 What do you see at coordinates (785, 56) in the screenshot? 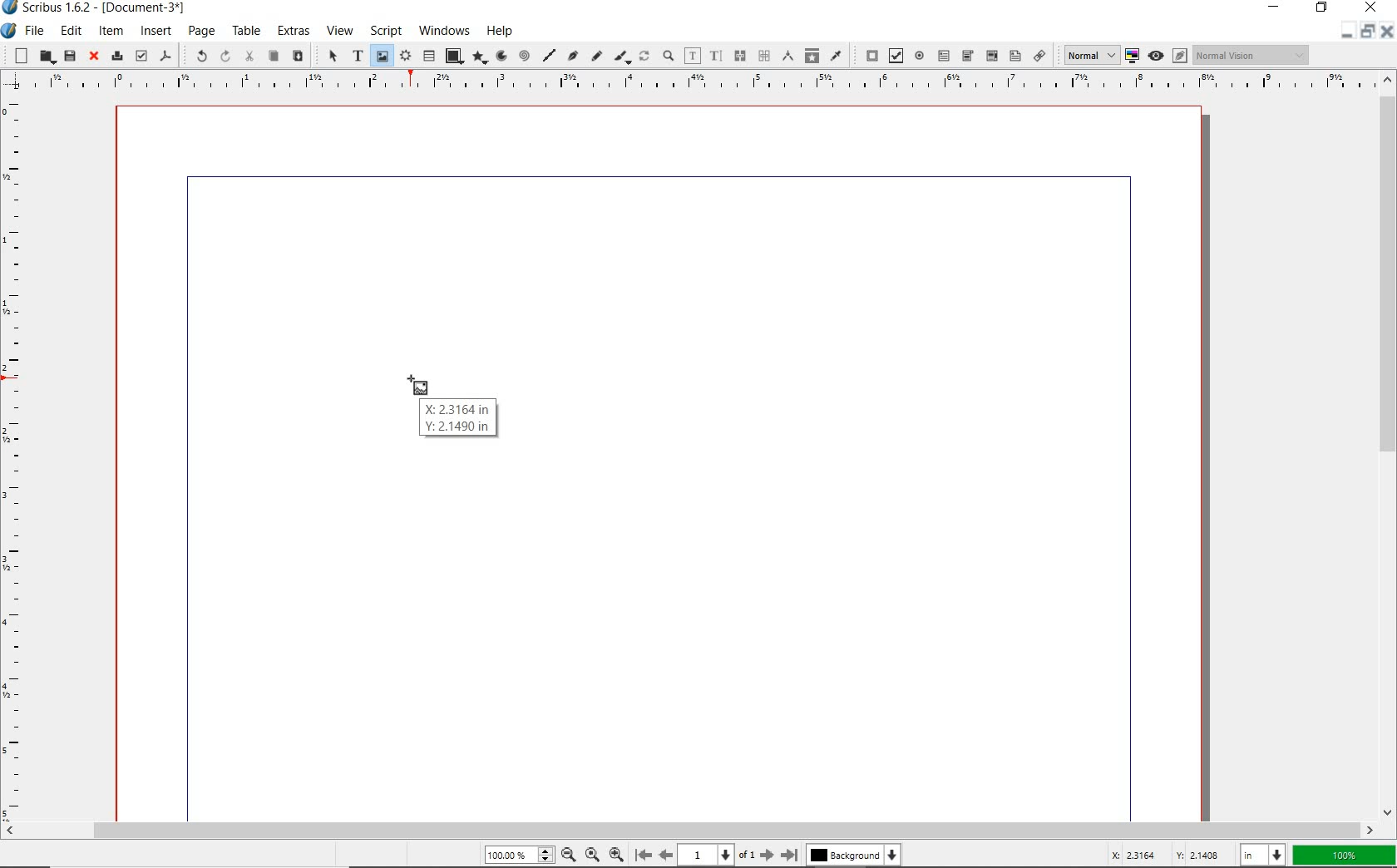
I see `measurements` at bounding box center [785, 56].